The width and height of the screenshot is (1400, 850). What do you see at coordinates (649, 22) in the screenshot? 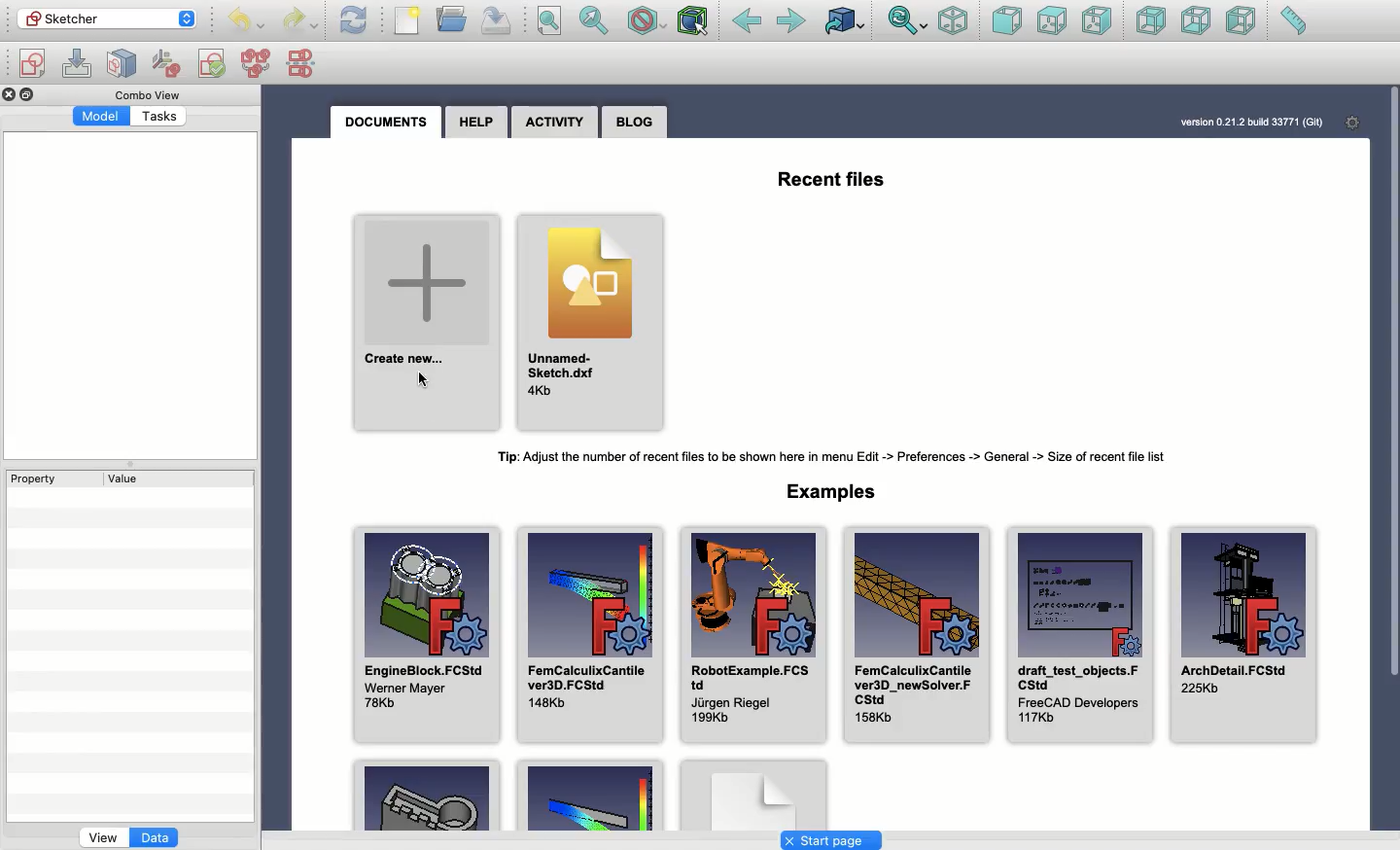
I see `Draw style` at bounding box center [649, 22].